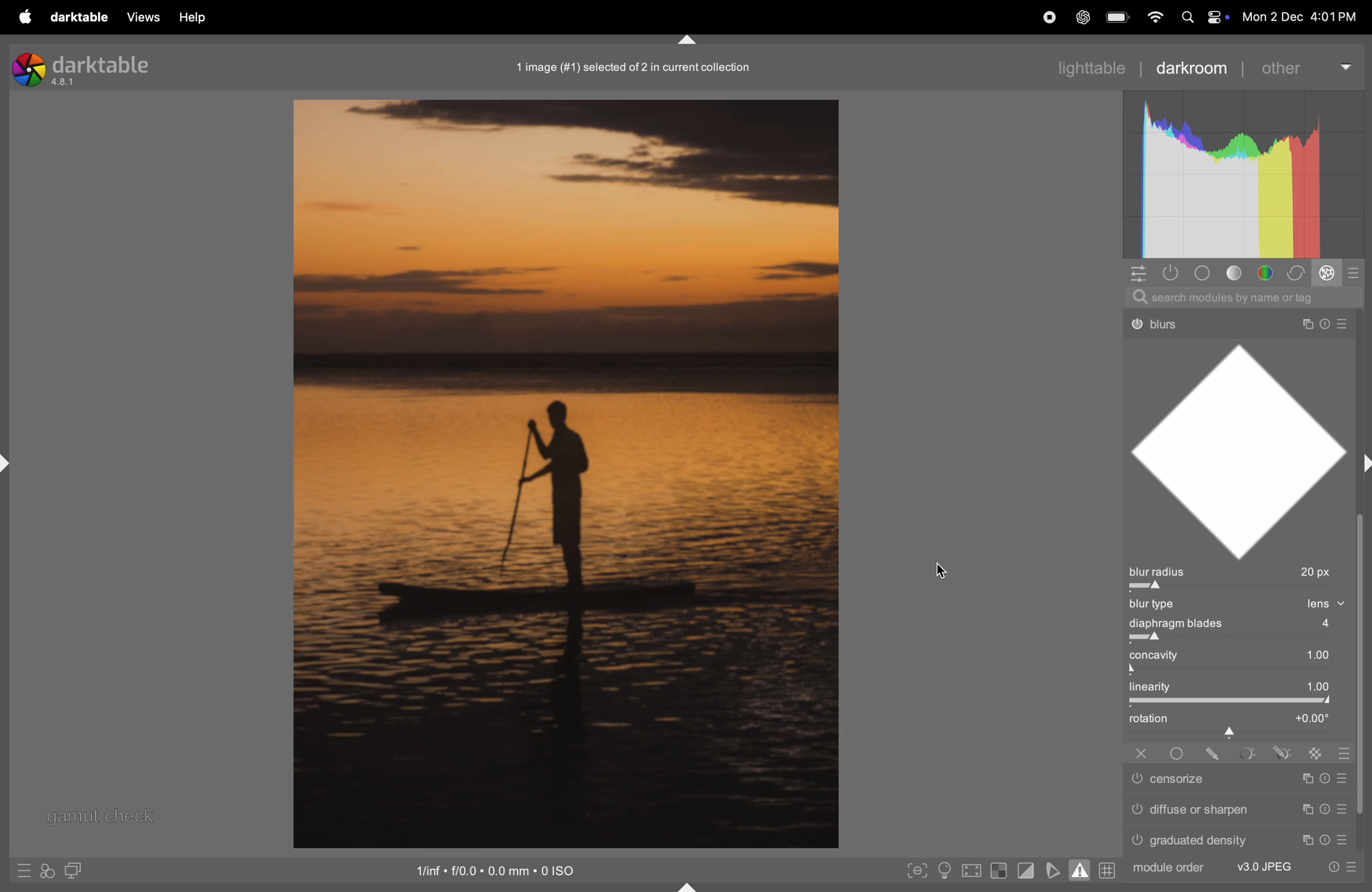 Image resolution: width=1372 pixels, height=892 pixels. Describe the element at coordinates (80, 17) in the screenshot. I see `darktable` at that location.